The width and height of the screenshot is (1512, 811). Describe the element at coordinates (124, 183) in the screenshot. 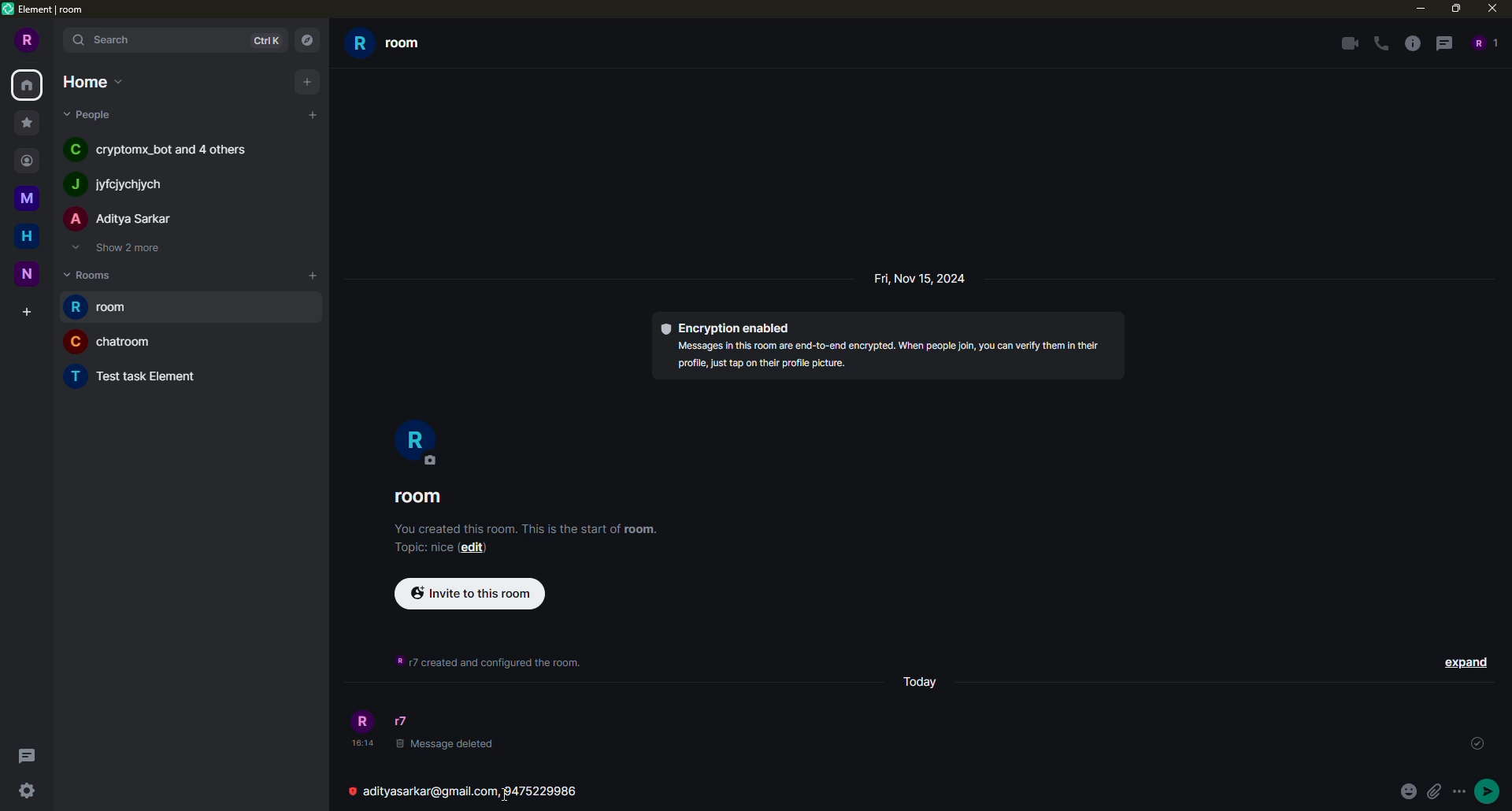

I see `people` at that location.